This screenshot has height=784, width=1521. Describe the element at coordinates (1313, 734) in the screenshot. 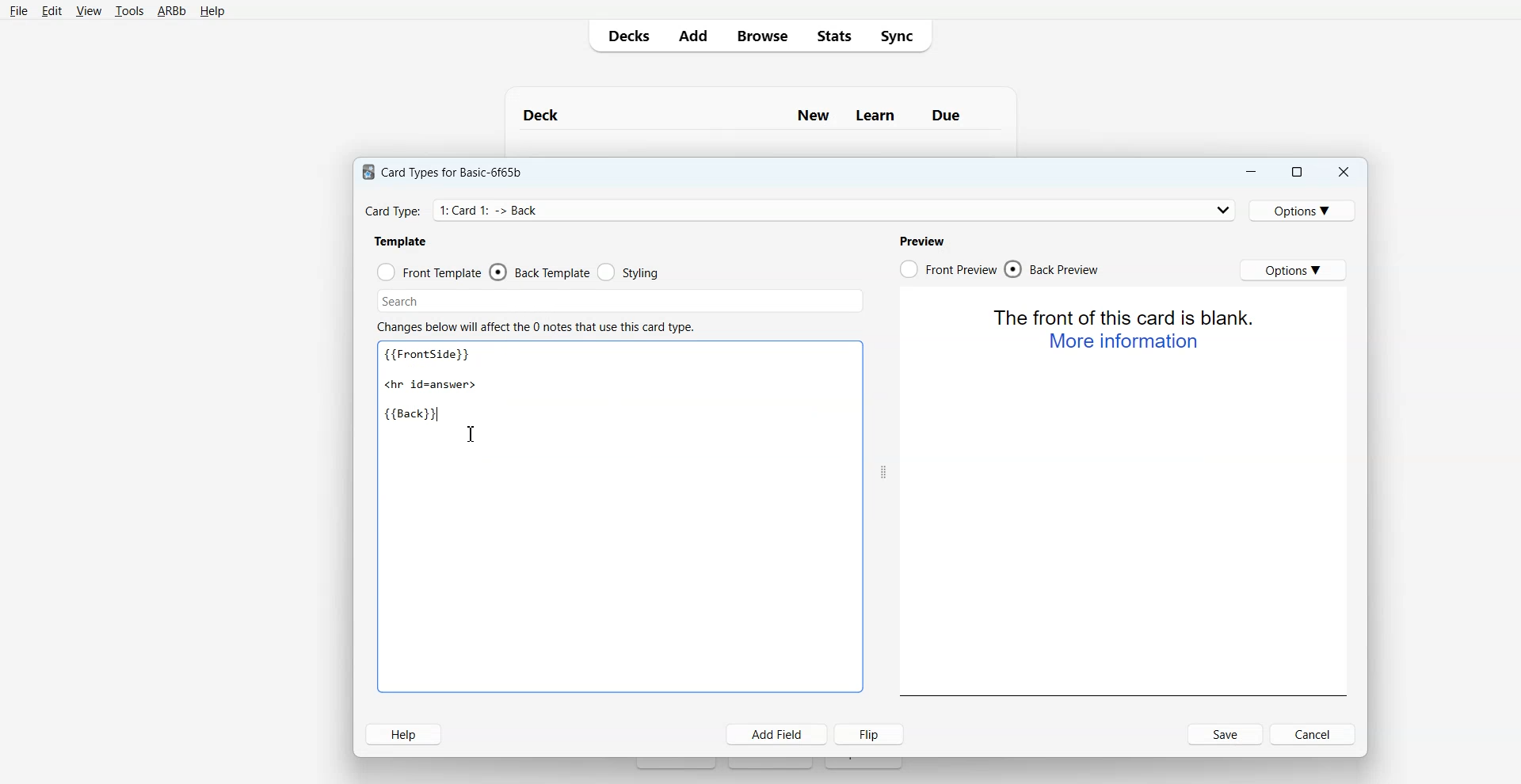

I see `Cancel` at that location.